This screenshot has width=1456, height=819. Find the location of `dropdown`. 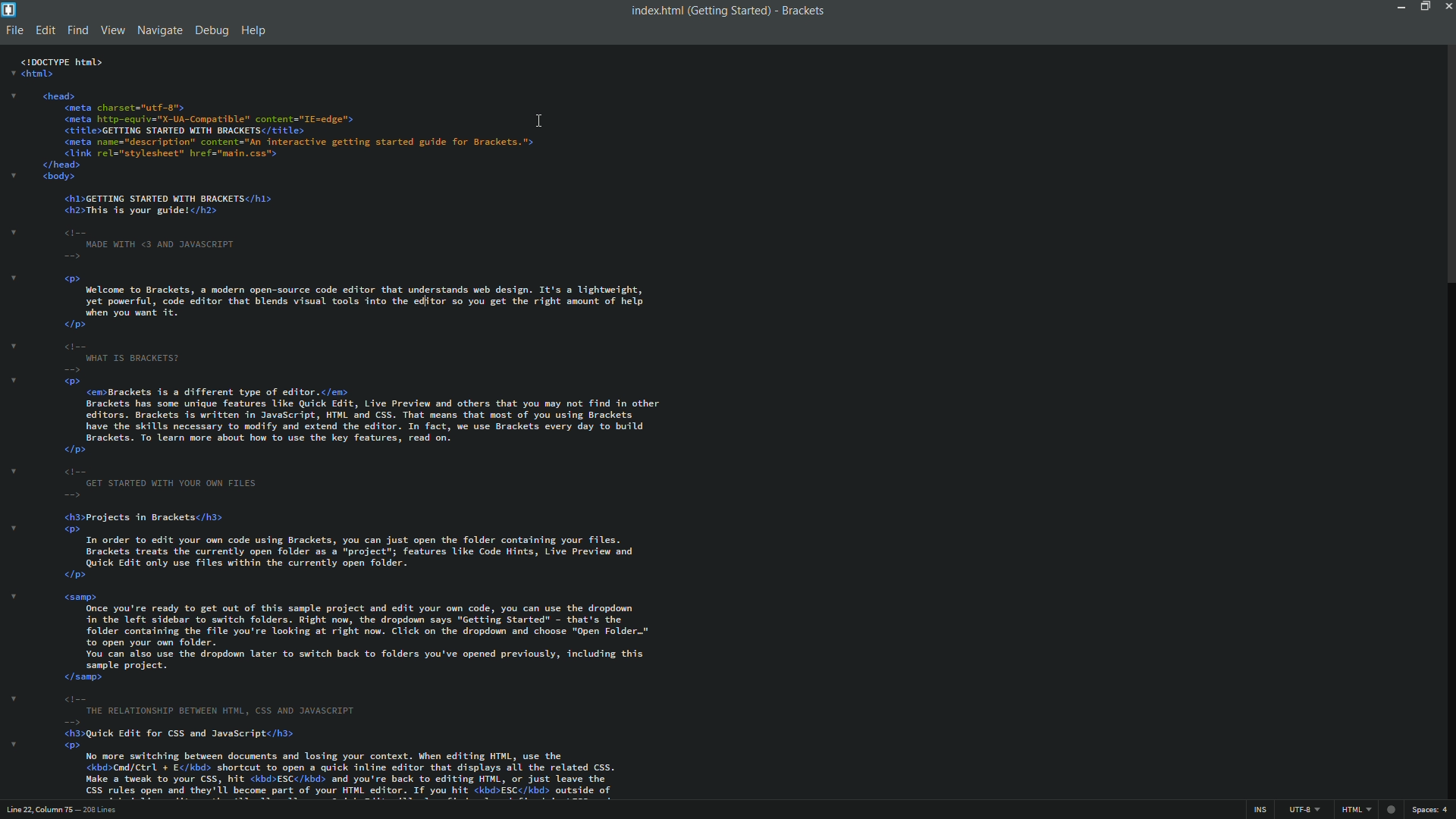

dropdown is located at coordinates (12, 277).